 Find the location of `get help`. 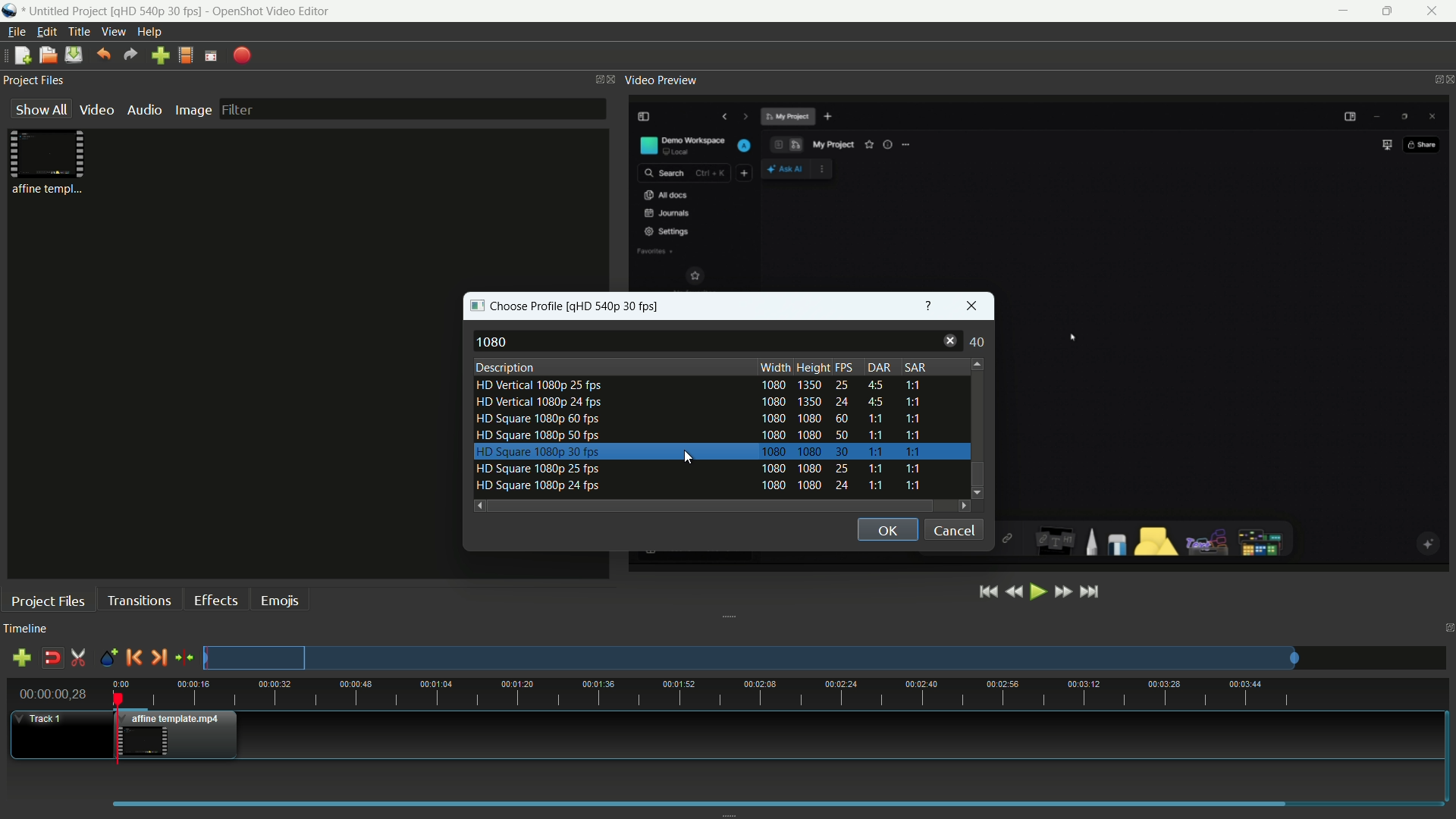

get help is located at coordinates (930, 304).